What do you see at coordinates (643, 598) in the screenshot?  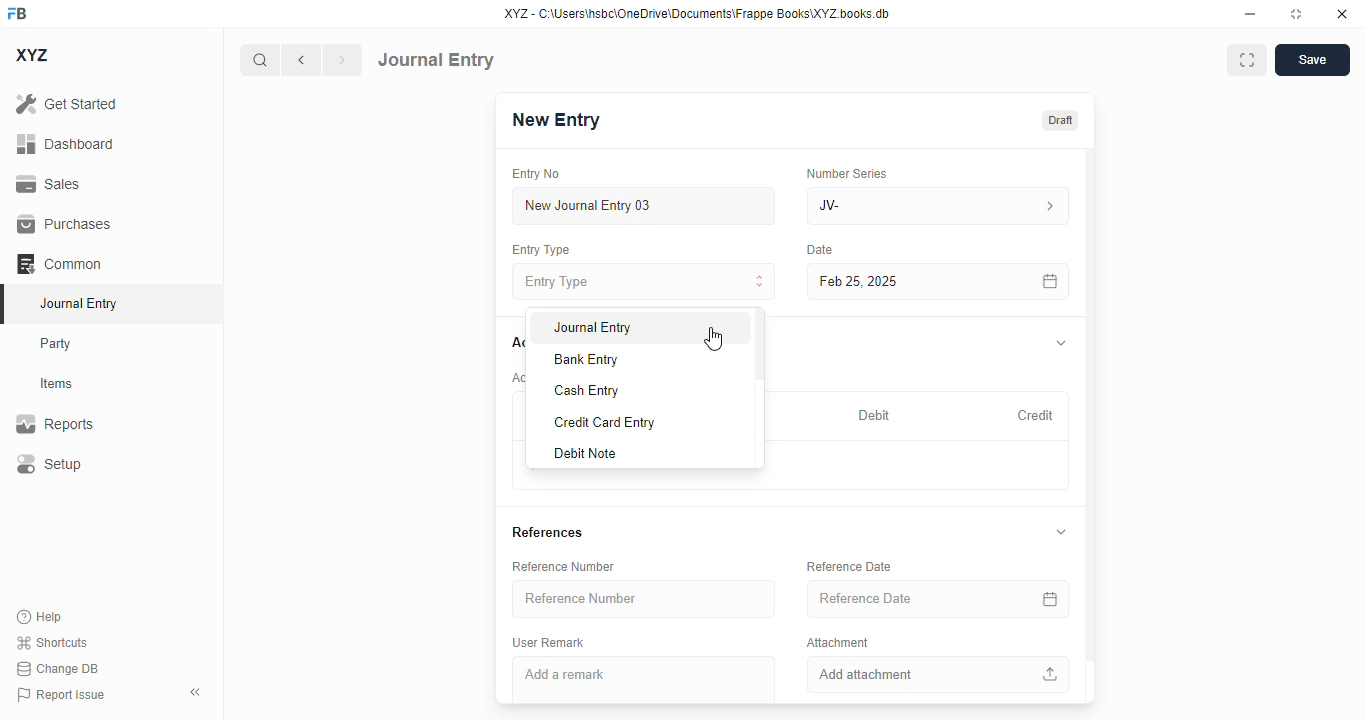 I see `reference number` at bounding box center [643, 598].